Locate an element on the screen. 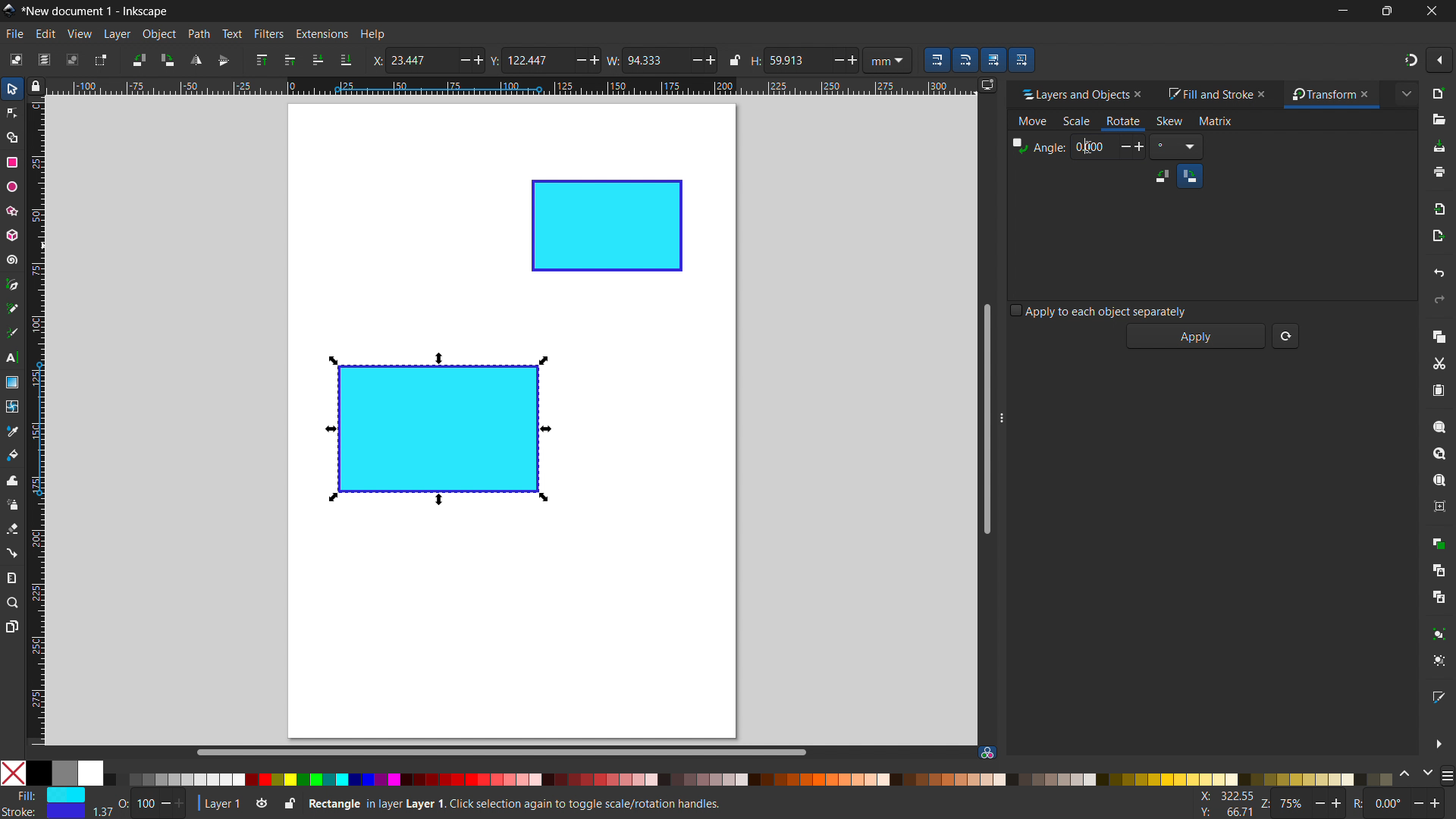 This screenshot has height=819, width=1456. Rectangle in Layer 1. Click selection again to toggle scale/ rotation handles is located at coordinates (518, 802).